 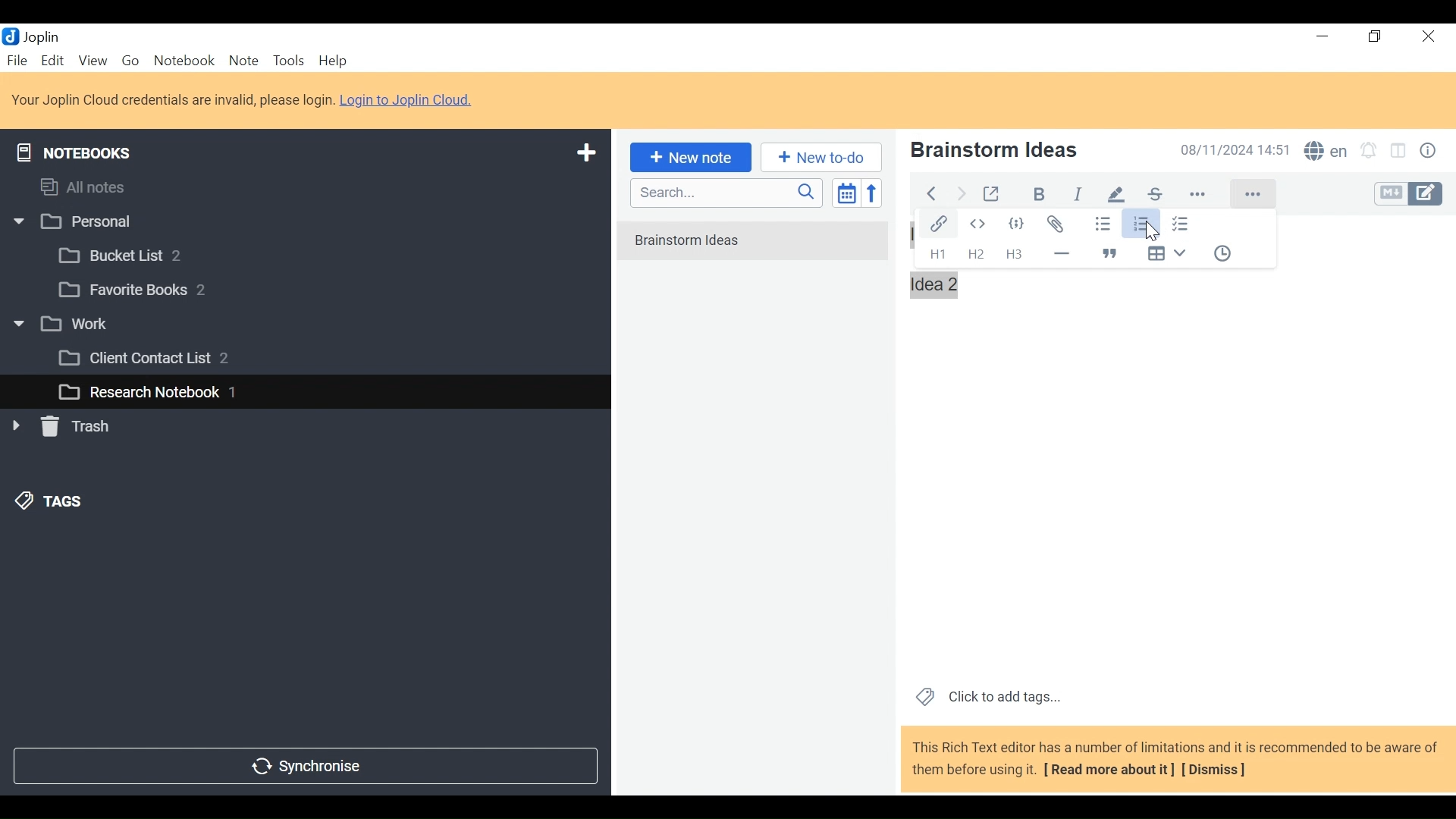 I want to click on Headings, so click(x=981, y=255).